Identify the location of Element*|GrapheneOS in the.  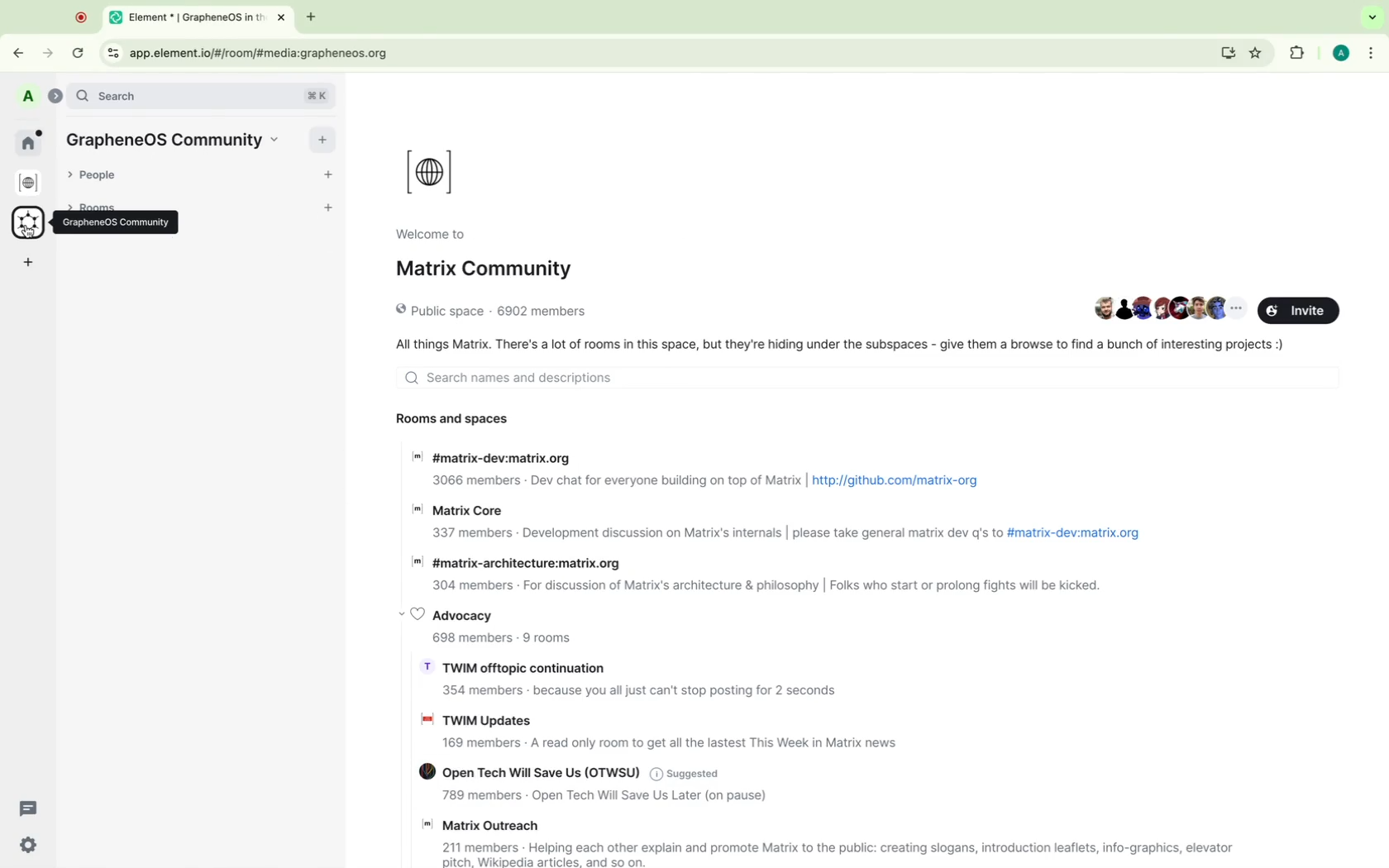
(184, 18).